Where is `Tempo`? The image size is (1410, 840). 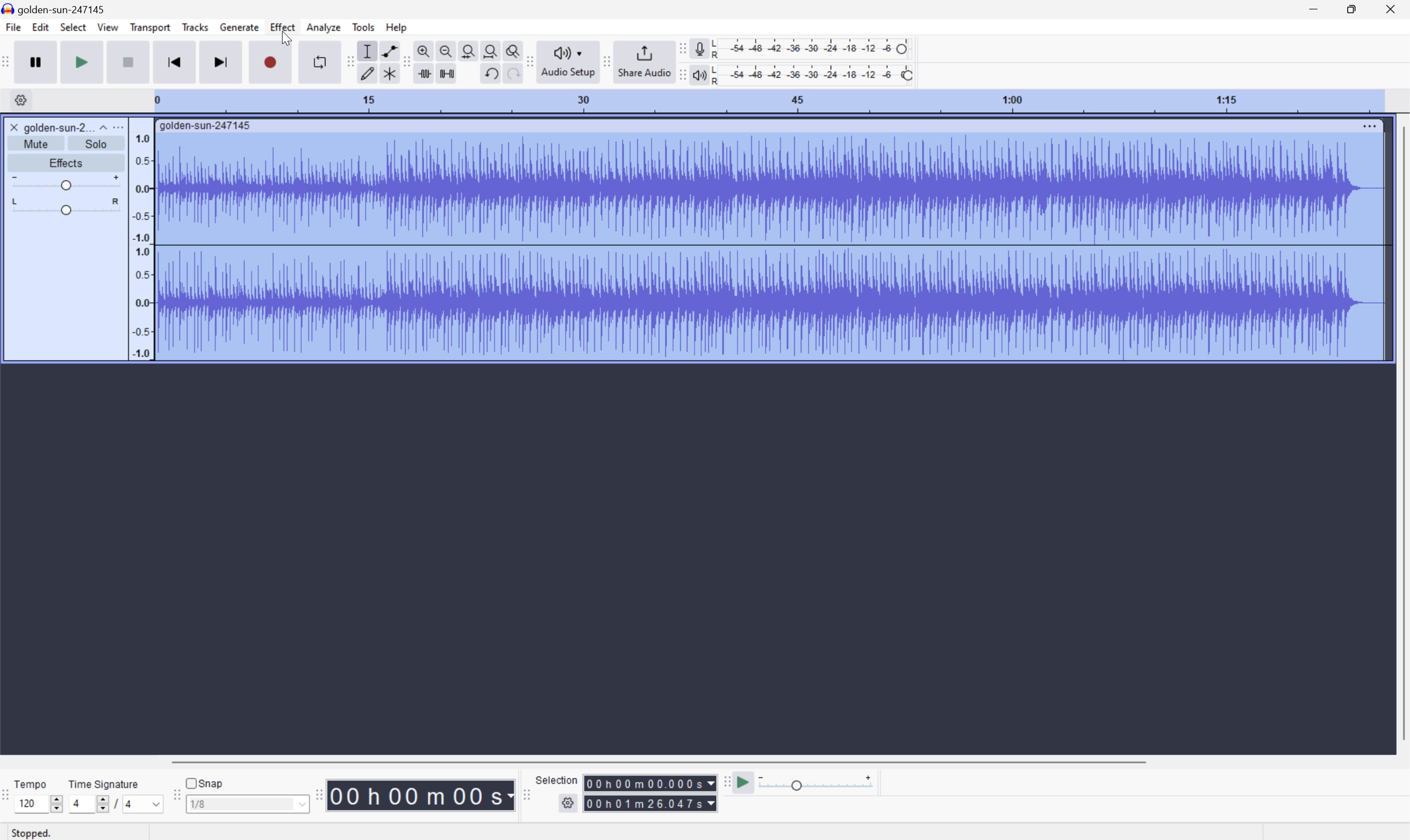
Tempo is located at coordinates (31, 783).